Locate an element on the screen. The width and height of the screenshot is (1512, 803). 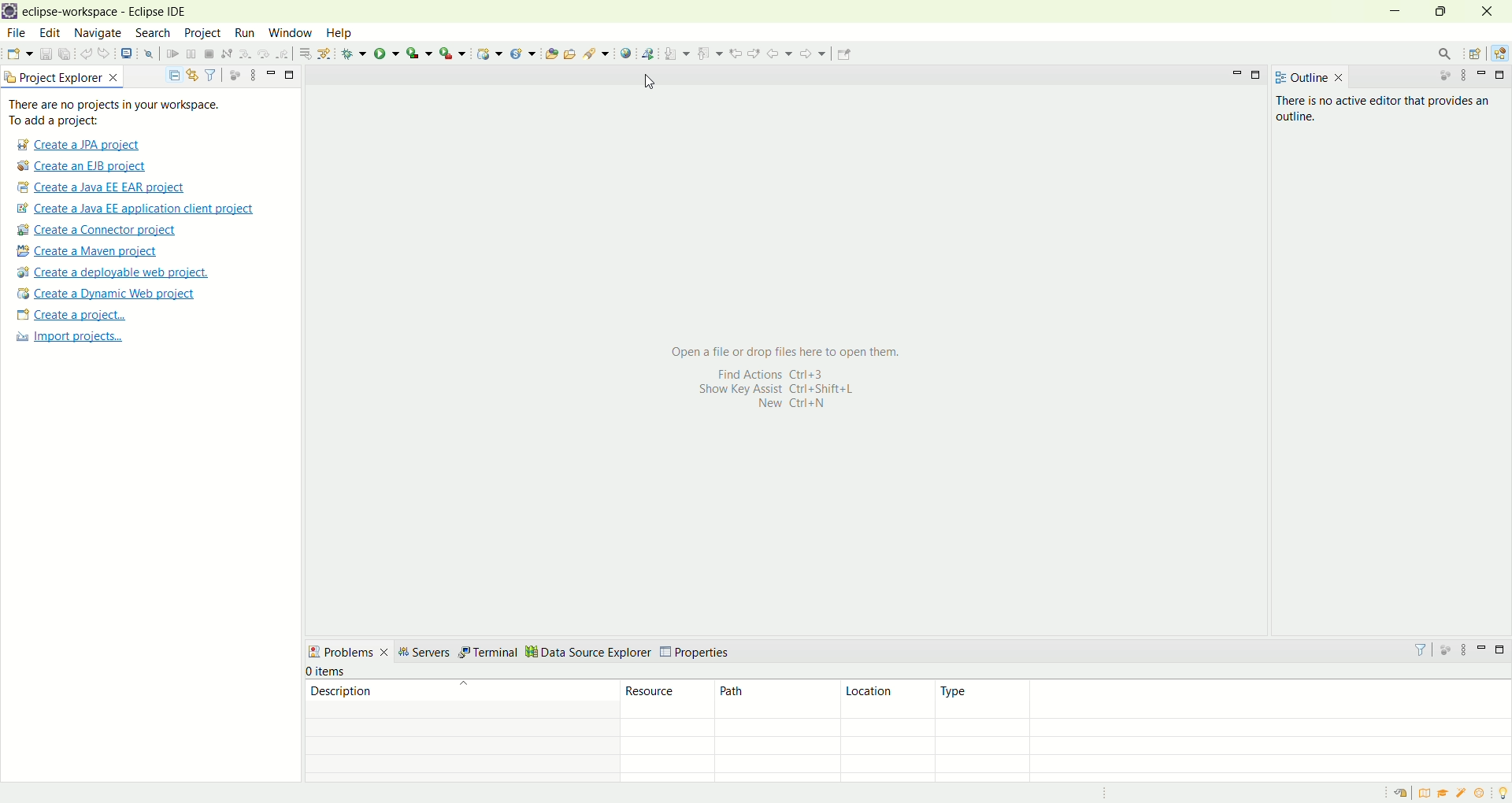
undo is located at coordinates (87, 54).